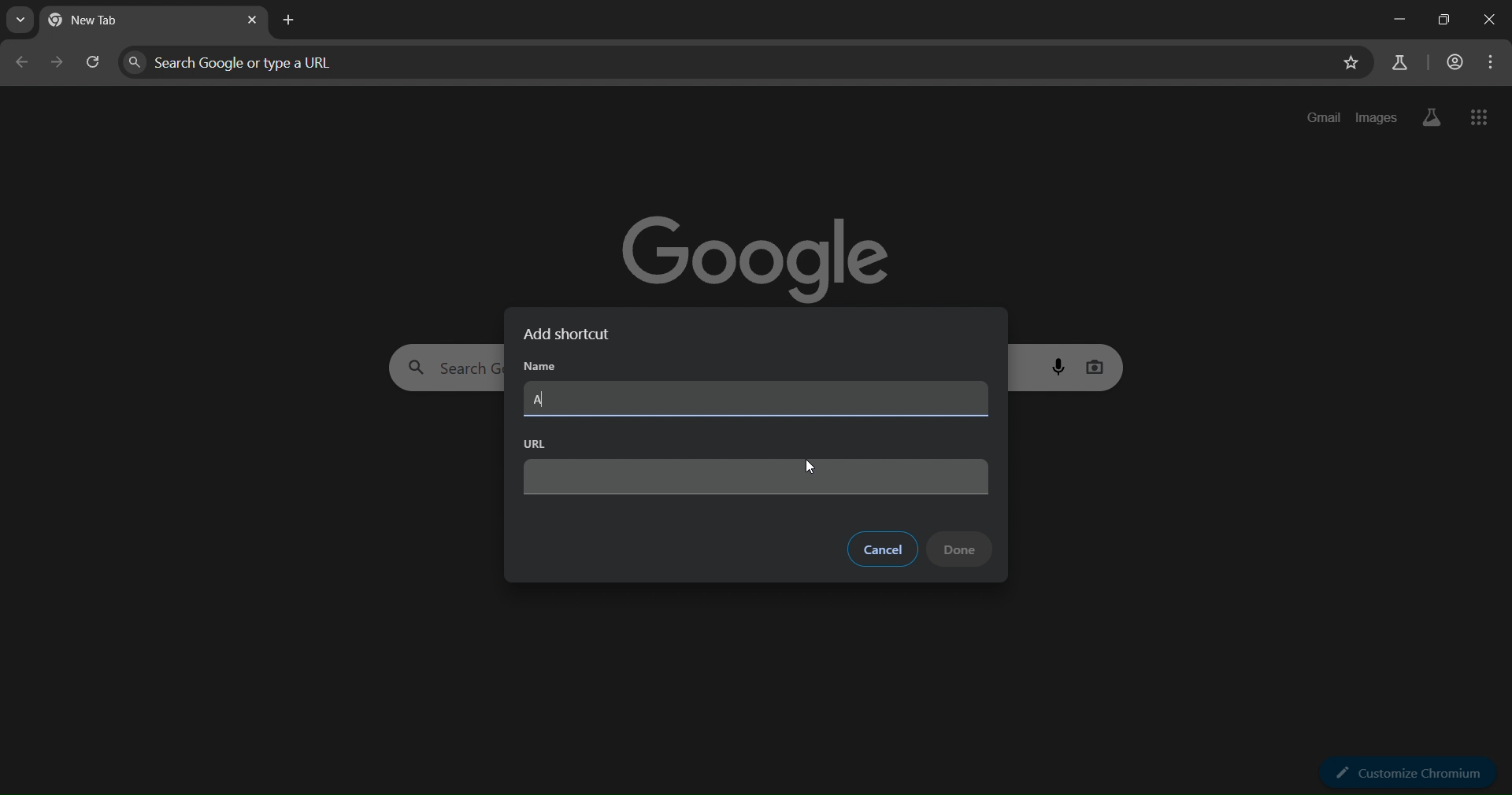  What do you see at coordinates (542, 370) in the screenshot?
I see `name` at bounding box center [542, 370].